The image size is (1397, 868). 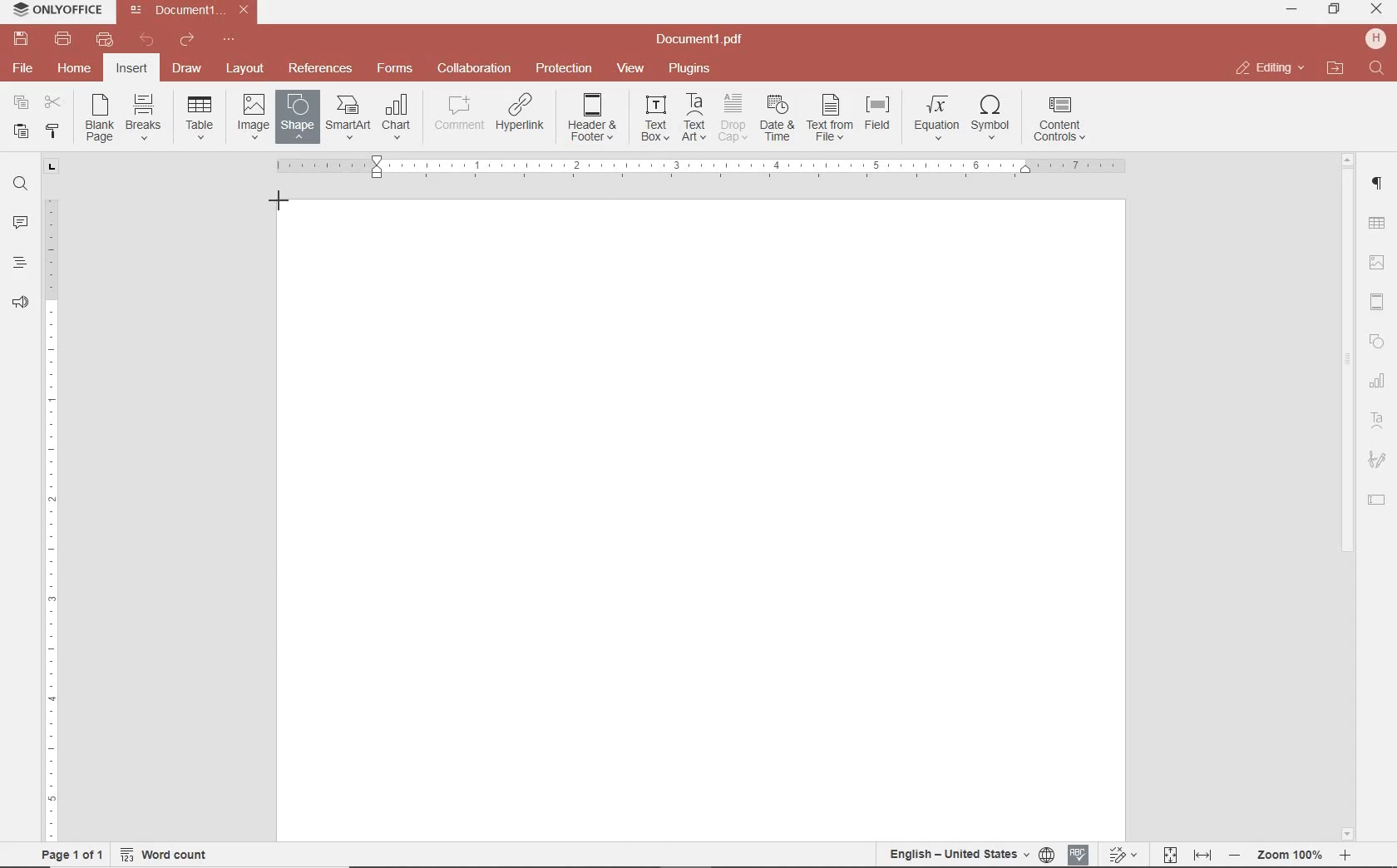 I want to click on find, so click(x=1379, y=69).